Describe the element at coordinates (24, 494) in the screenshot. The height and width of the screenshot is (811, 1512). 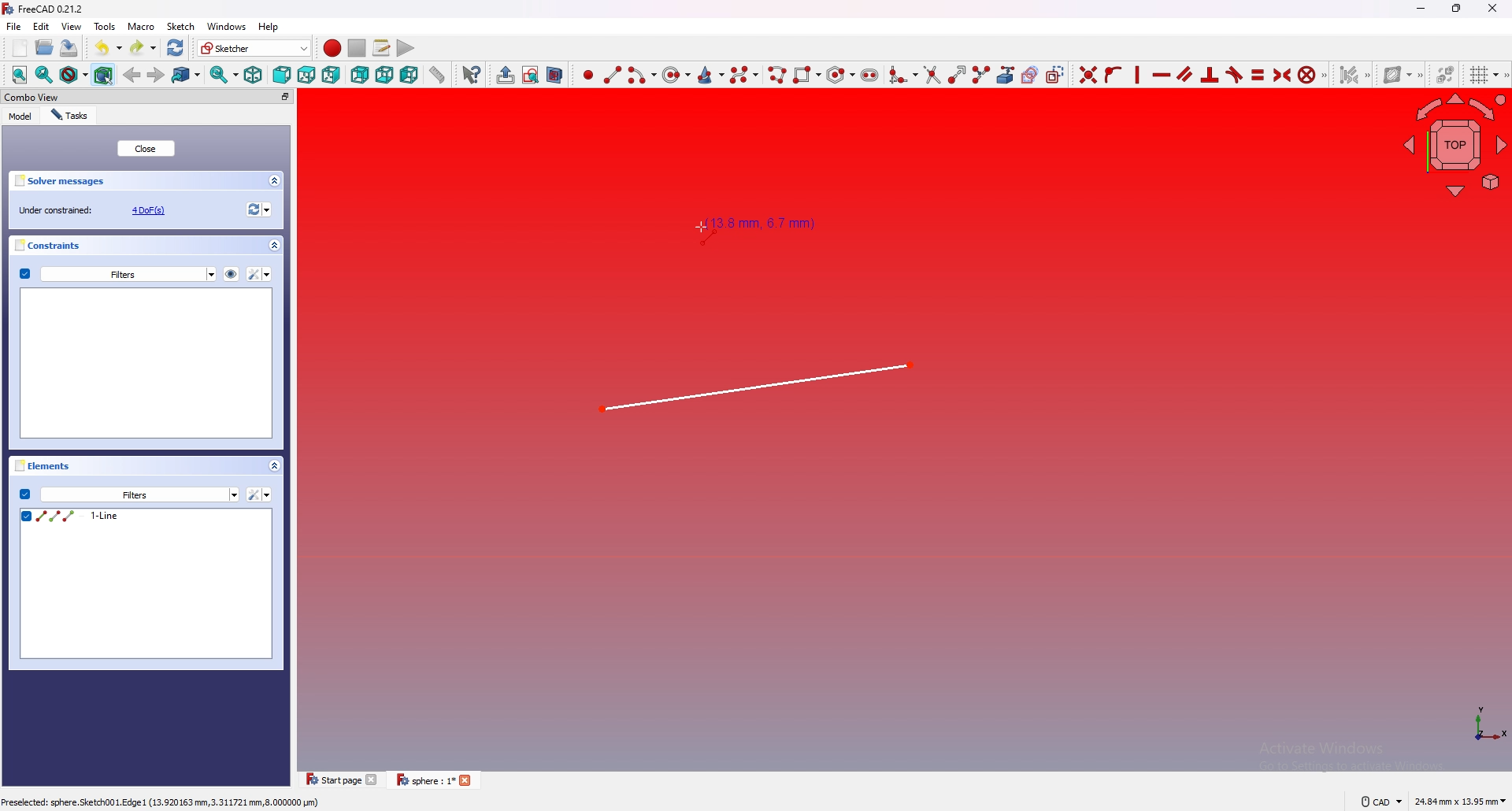
I see `Check` at that location.